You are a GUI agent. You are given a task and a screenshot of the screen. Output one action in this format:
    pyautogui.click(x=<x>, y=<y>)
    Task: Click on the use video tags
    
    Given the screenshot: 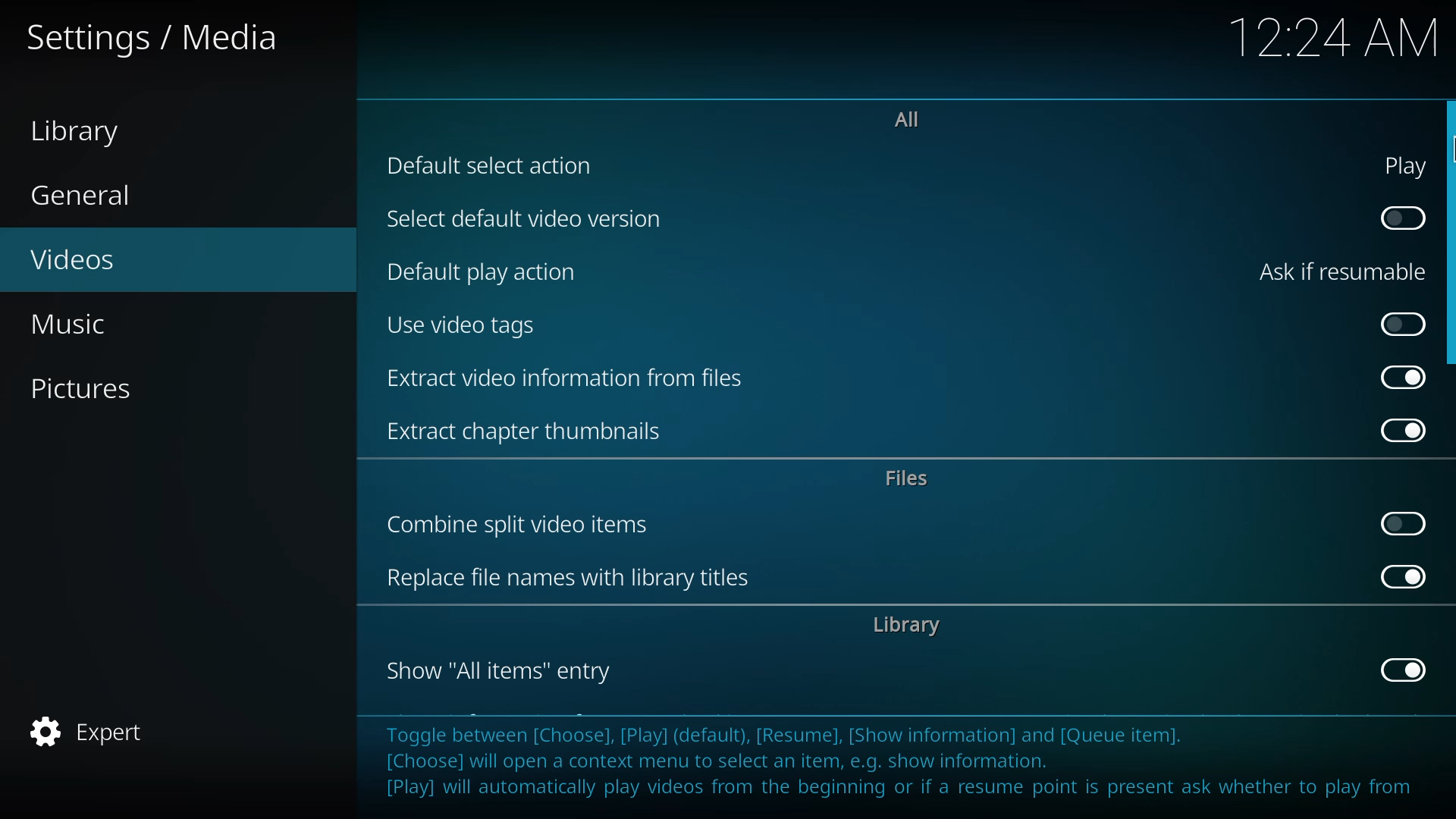 What is the action you would take?
    pyautogui.click(x=462, y=325)
    